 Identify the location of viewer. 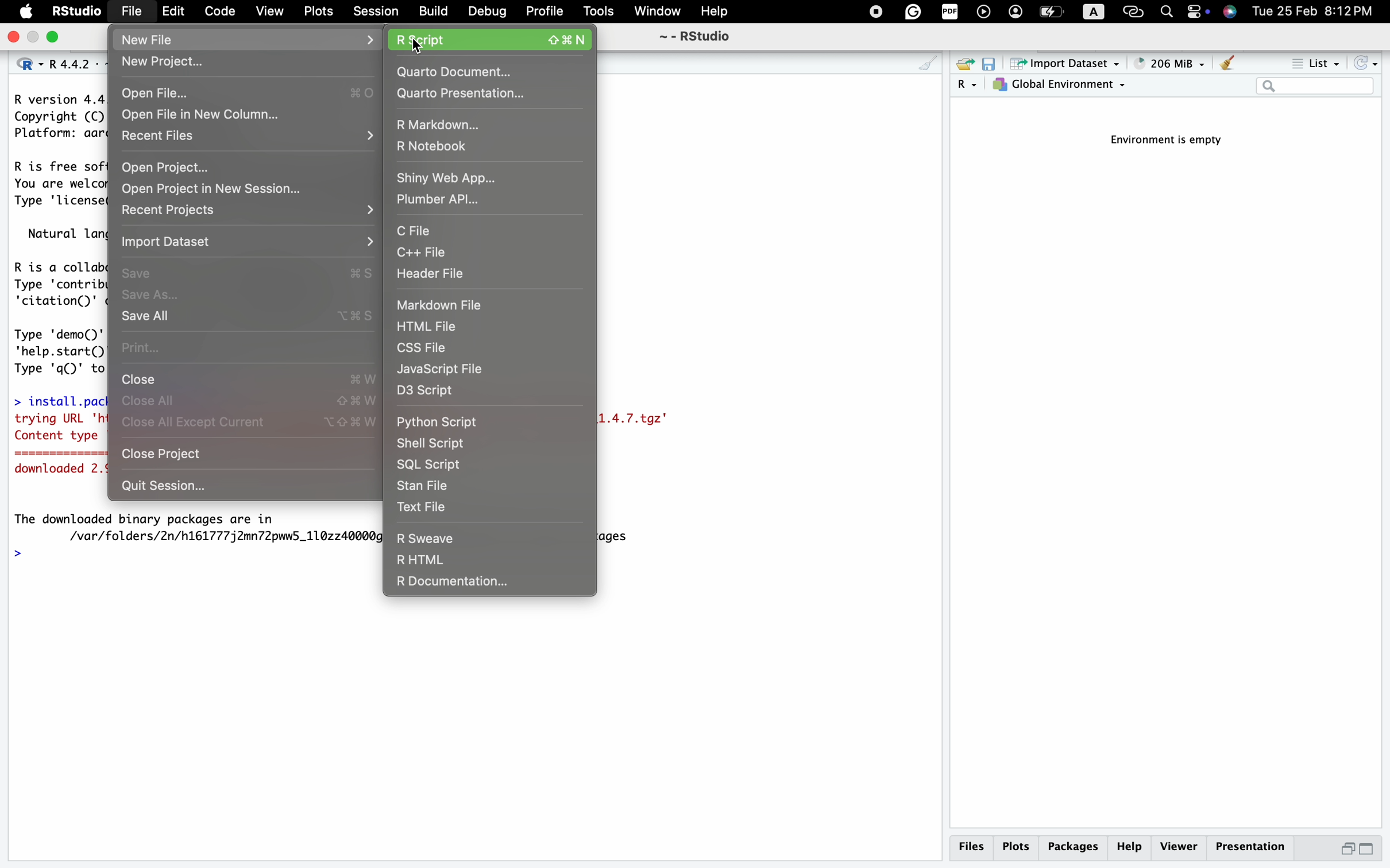
(1178, 847).